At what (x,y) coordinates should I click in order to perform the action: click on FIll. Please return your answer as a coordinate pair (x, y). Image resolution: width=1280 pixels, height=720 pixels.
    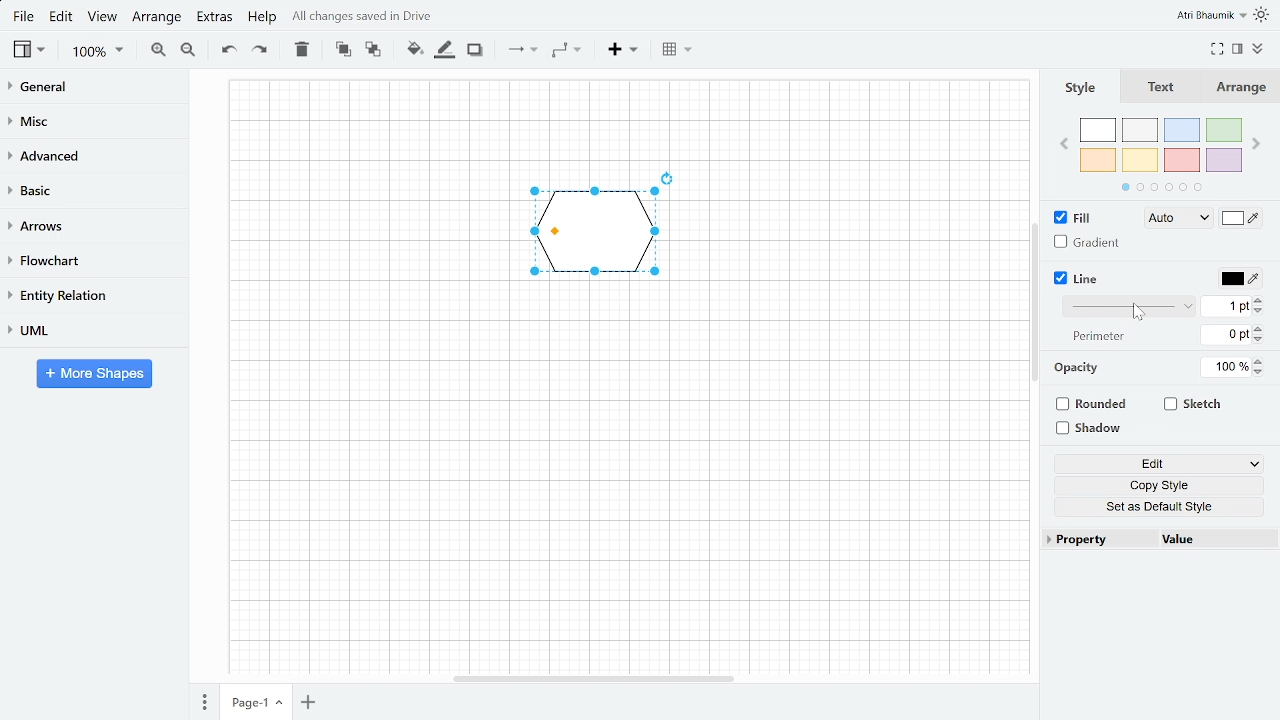
    Looking at the image, I should click on (1073, 216).